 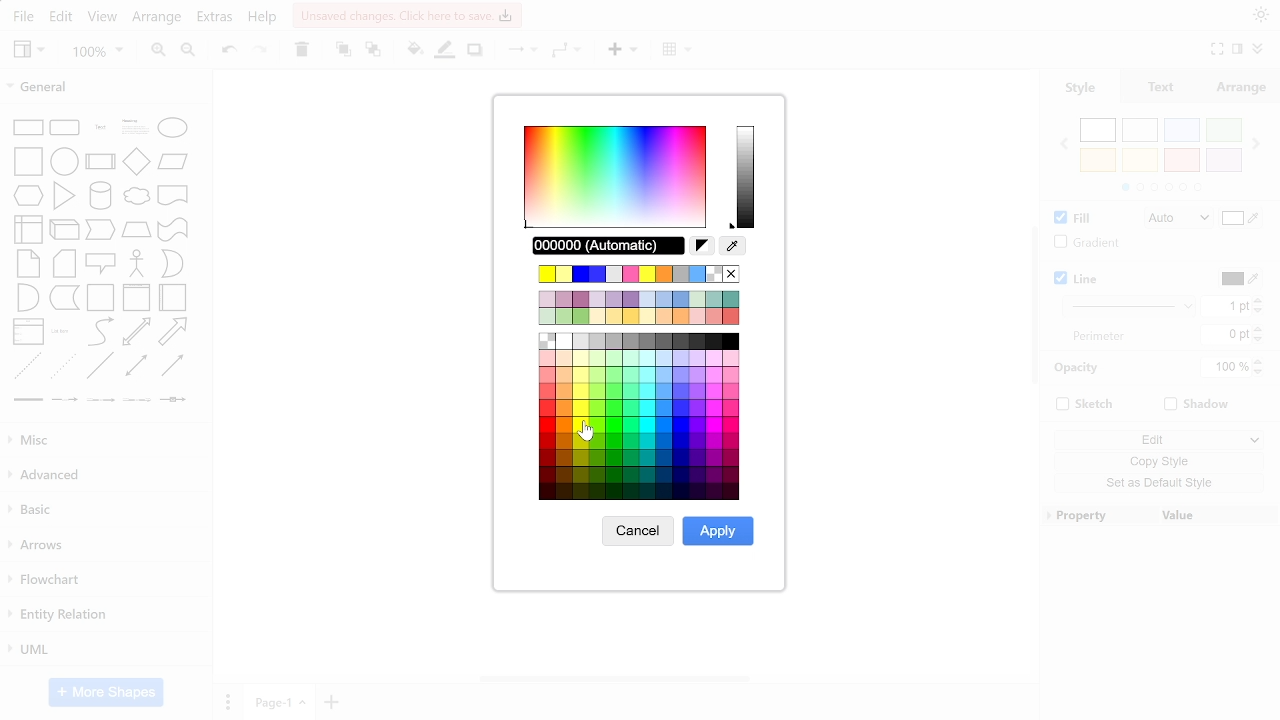 What do you see at coordinates (641, 275) in the screenshot?
I see `recent colors` at bounding box center [641, 275].